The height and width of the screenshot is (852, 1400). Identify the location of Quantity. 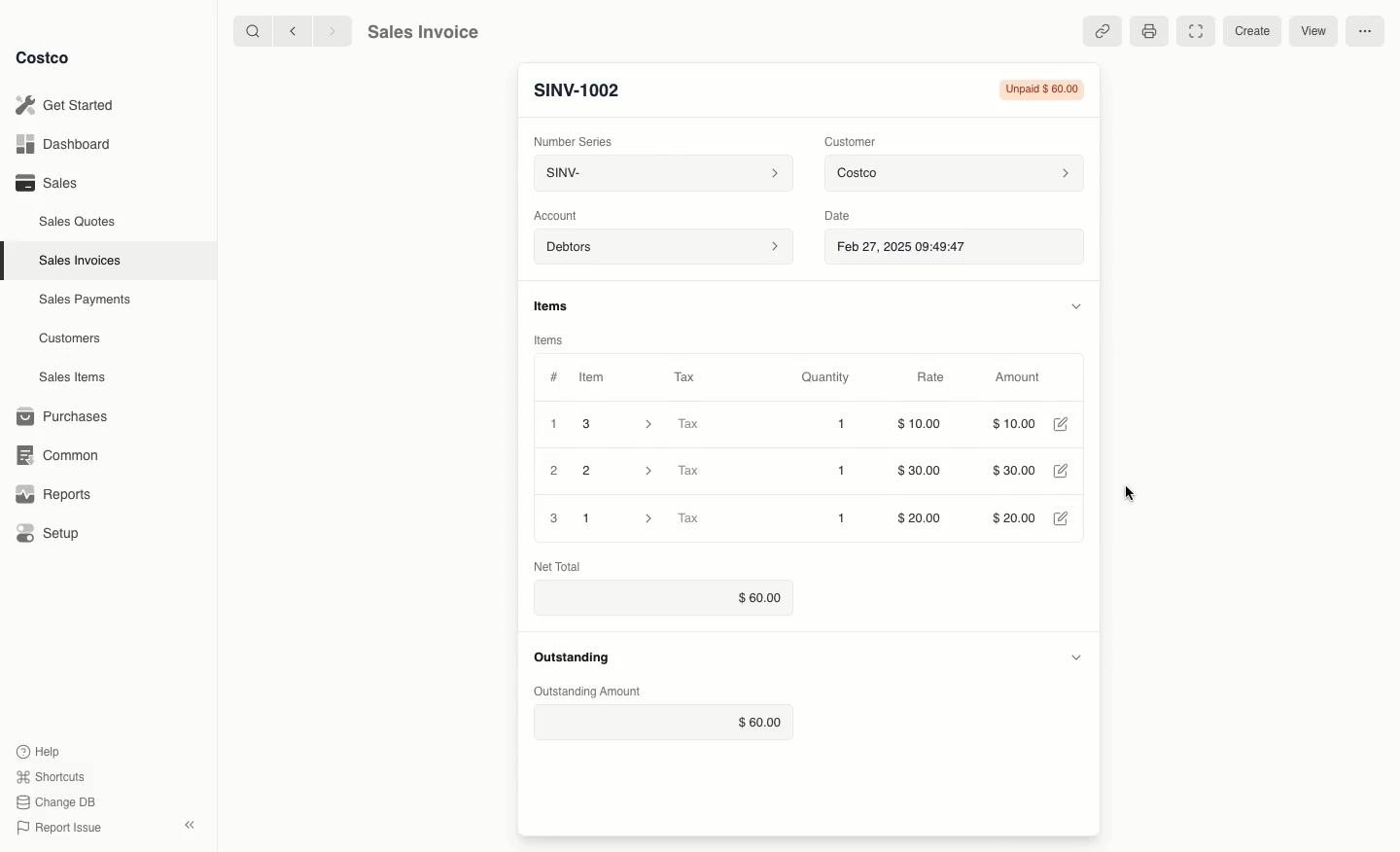
(822, 377).